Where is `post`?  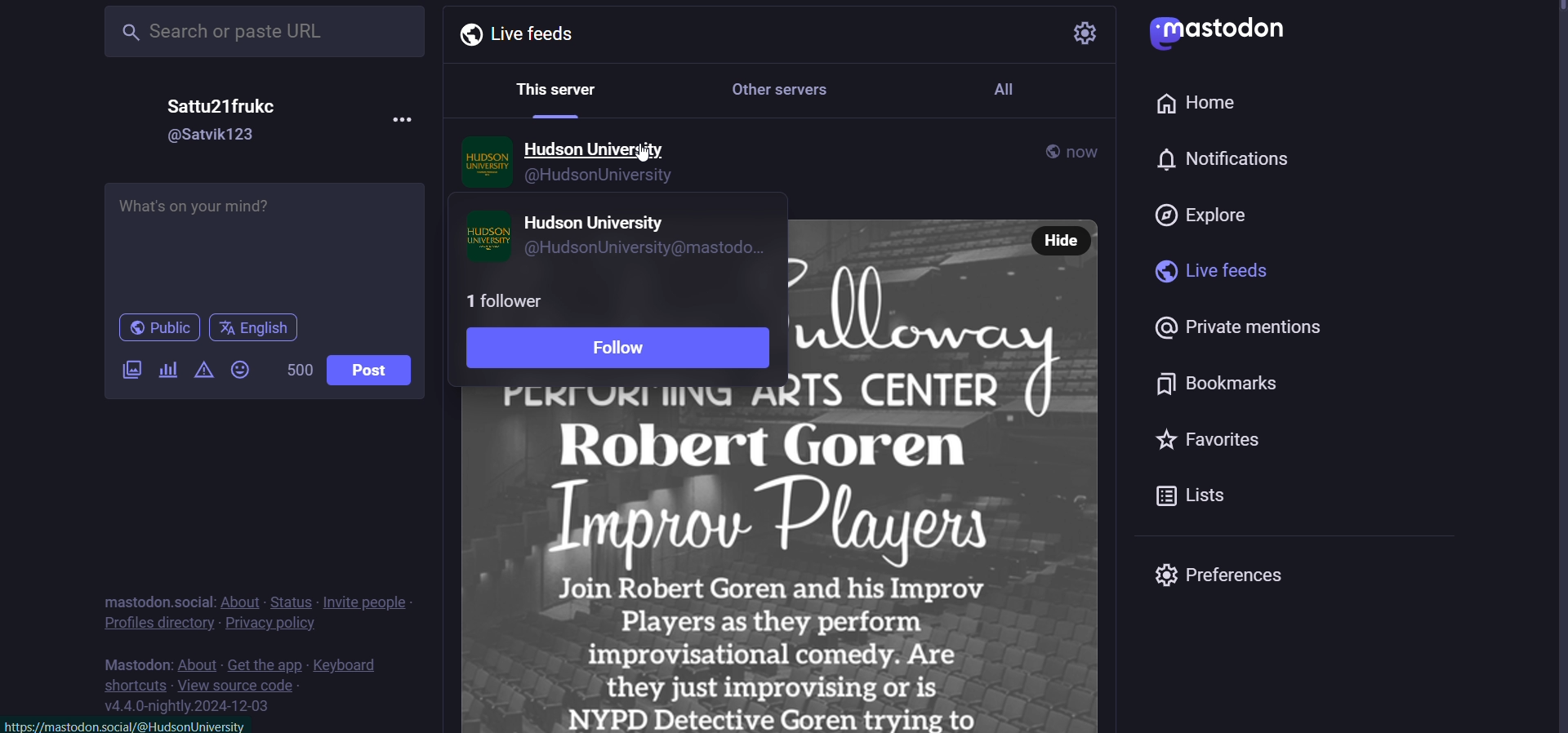
post is located at coordinates (377, 374).